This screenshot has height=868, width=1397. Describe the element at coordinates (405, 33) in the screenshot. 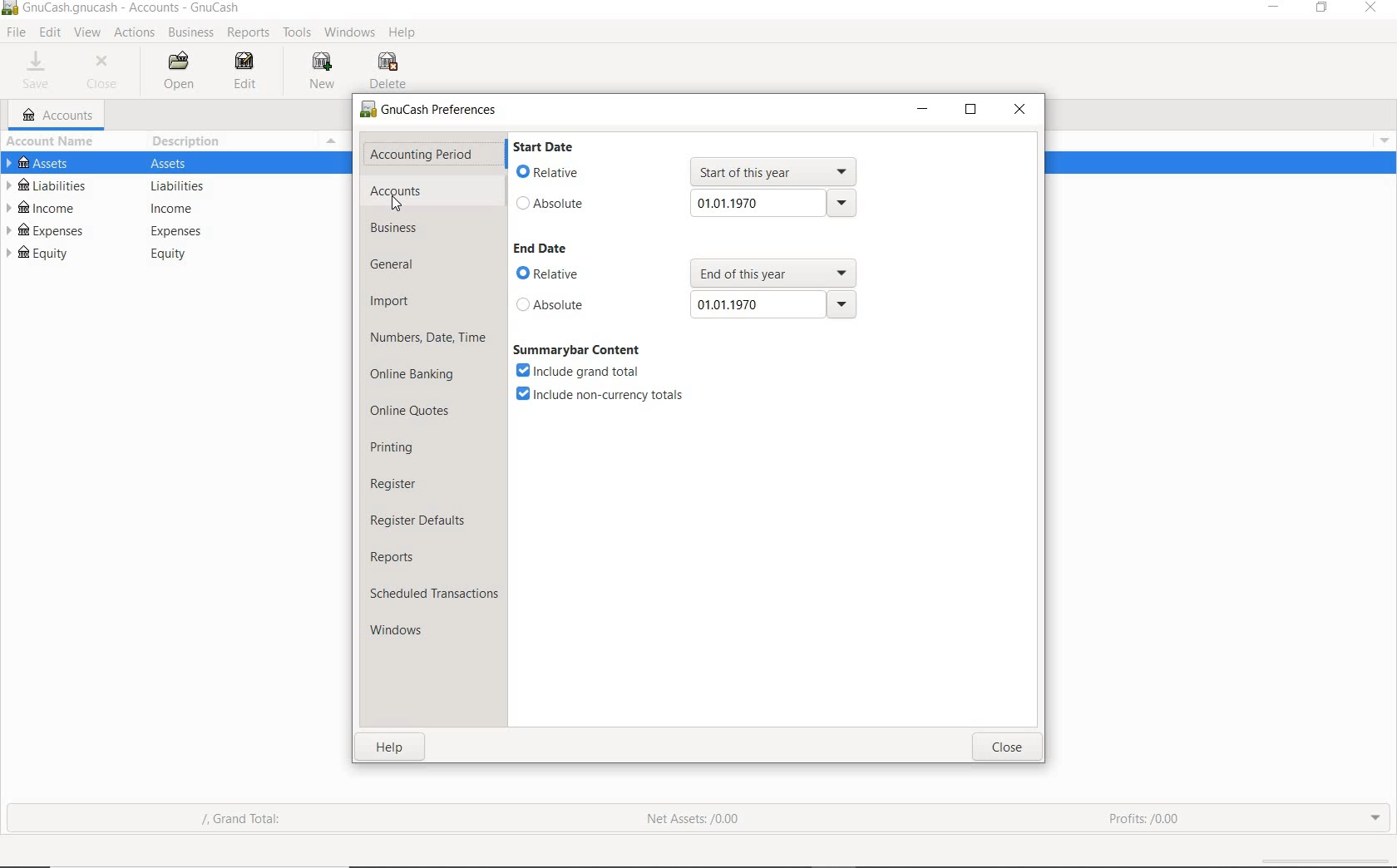

I see `HELP` at that location.